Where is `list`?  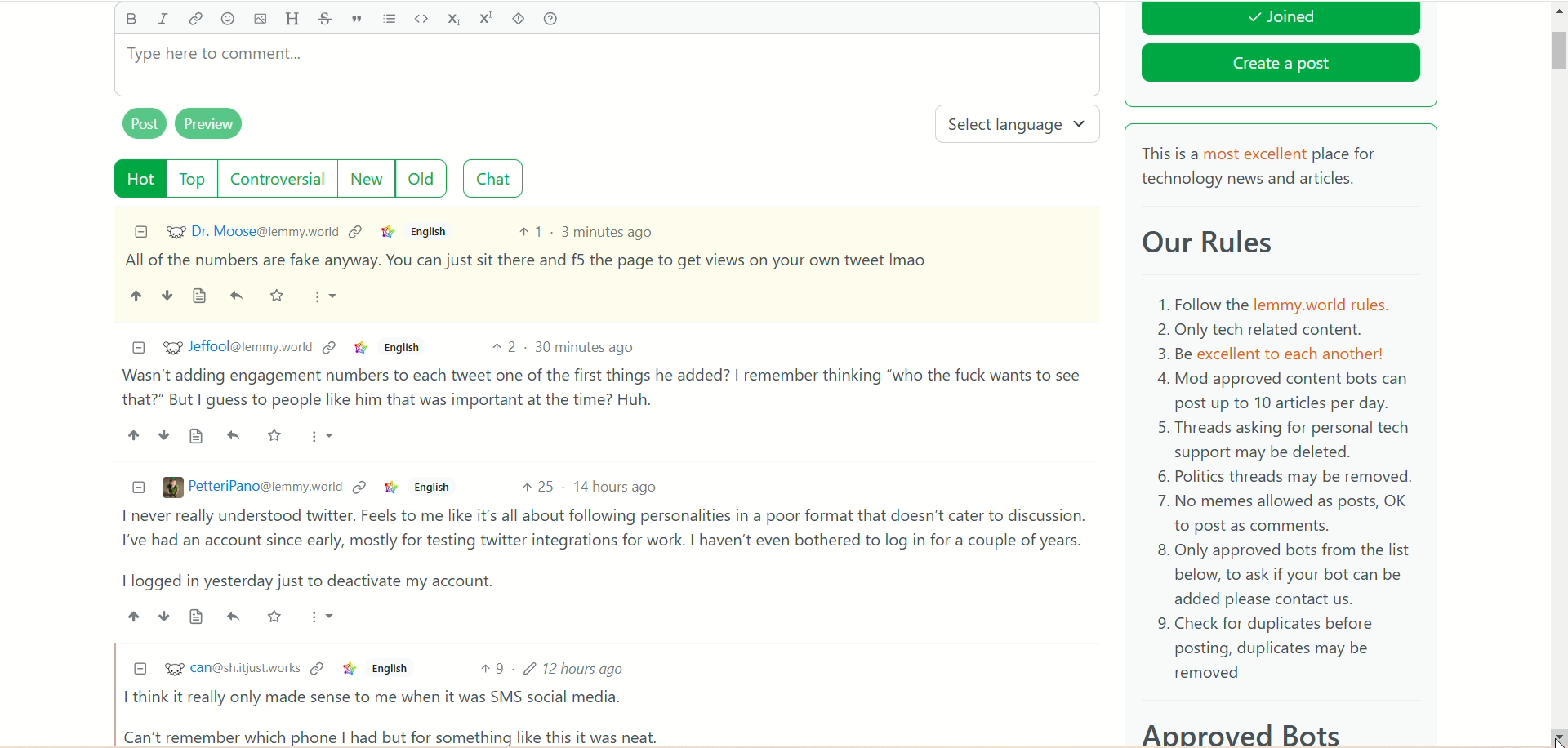 list is located at coordinates (390, 19).